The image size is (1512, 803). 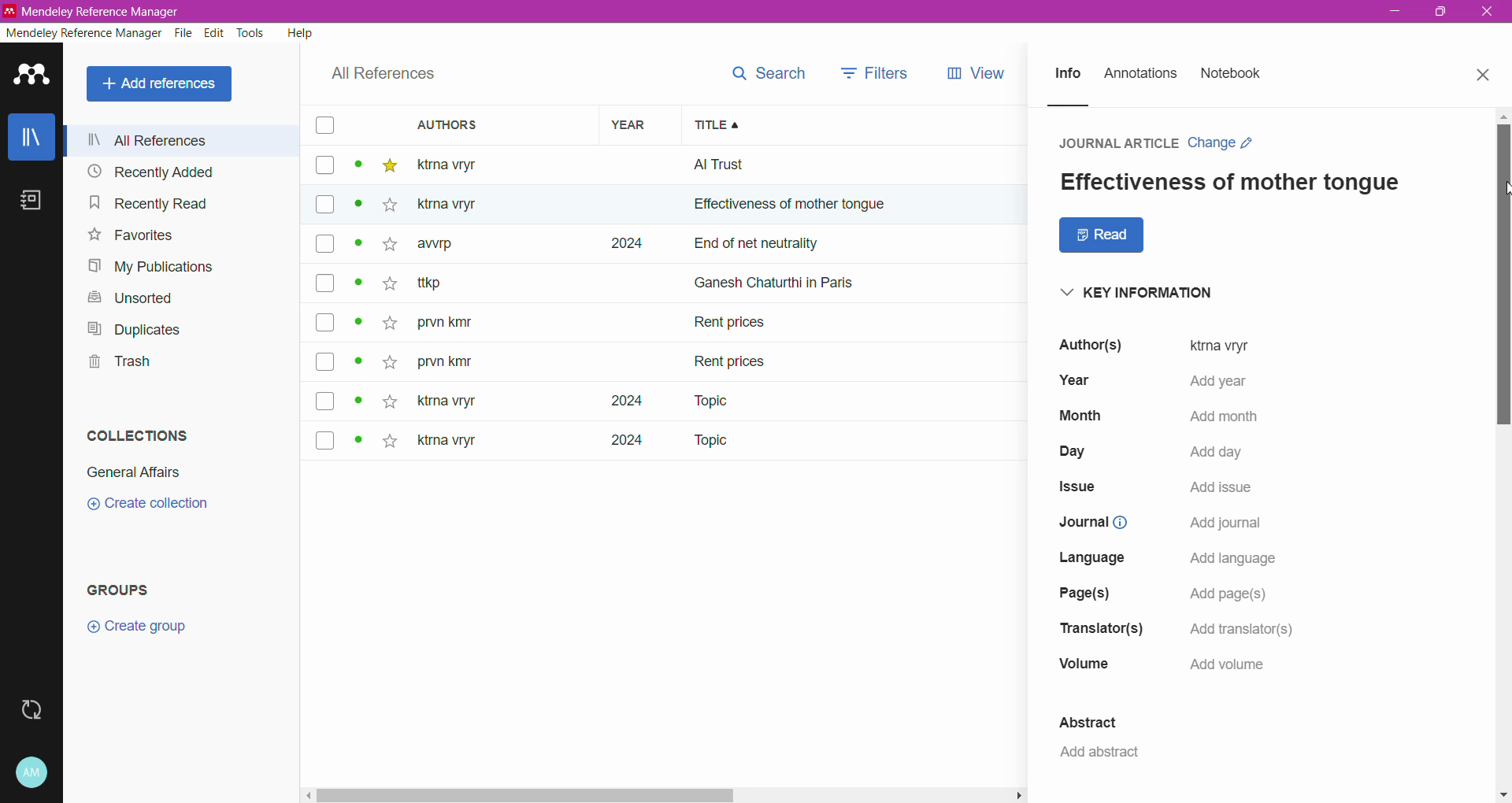 I want to click on effectiveness of mother ton, so click(x=770, y=208).